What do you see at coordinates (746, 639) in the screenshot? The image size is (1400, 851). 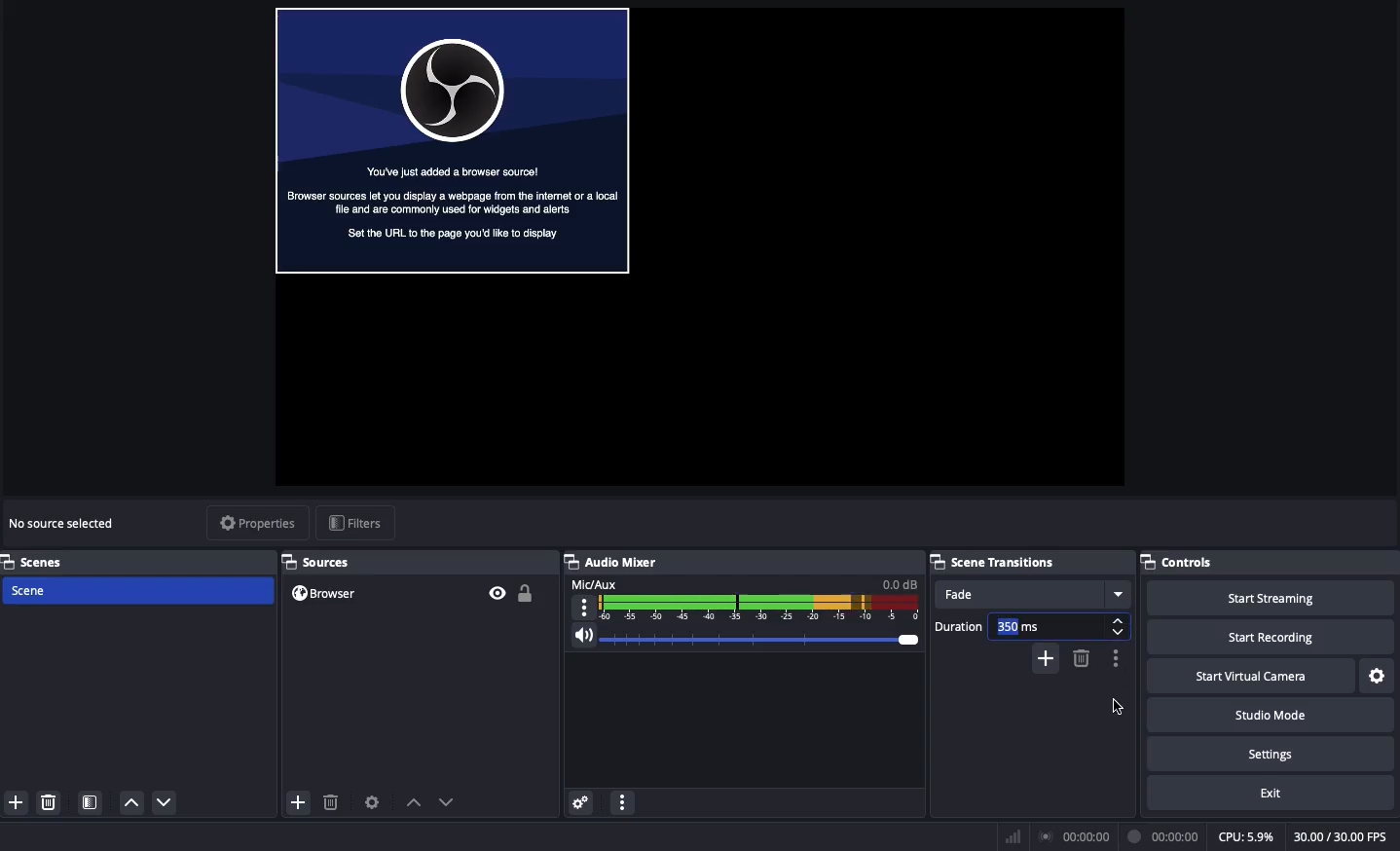 I see `Volume` at bounding box center [746, 639].